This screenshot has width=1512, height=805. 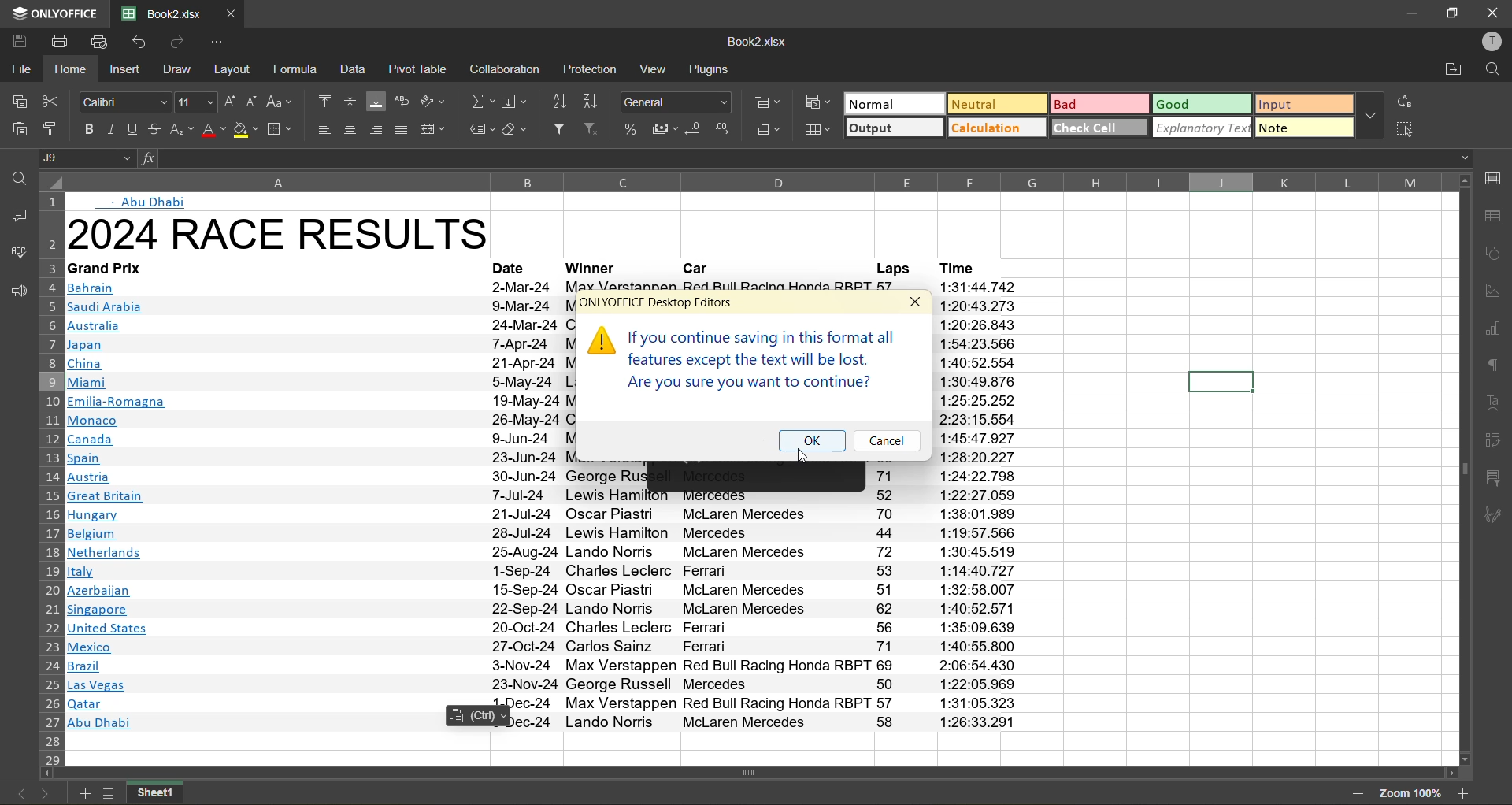 I want to click on note, so click(x=1303, y=127).